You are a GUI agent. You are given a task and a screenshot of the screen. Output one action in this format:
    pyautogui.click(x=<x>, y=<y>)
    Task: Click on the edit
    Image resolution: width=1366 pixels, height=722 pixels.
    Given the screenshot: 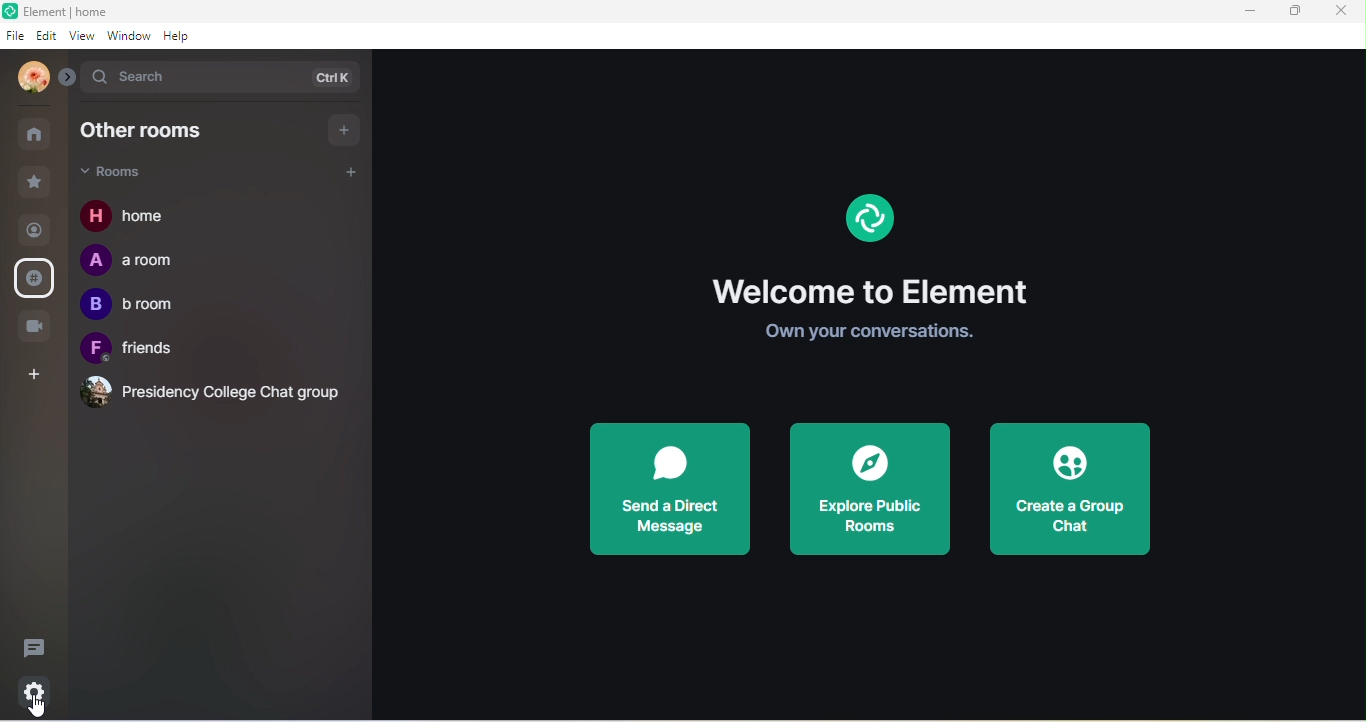 What is the action you would take?
    pyautogui.click(x=46, y=37)
    